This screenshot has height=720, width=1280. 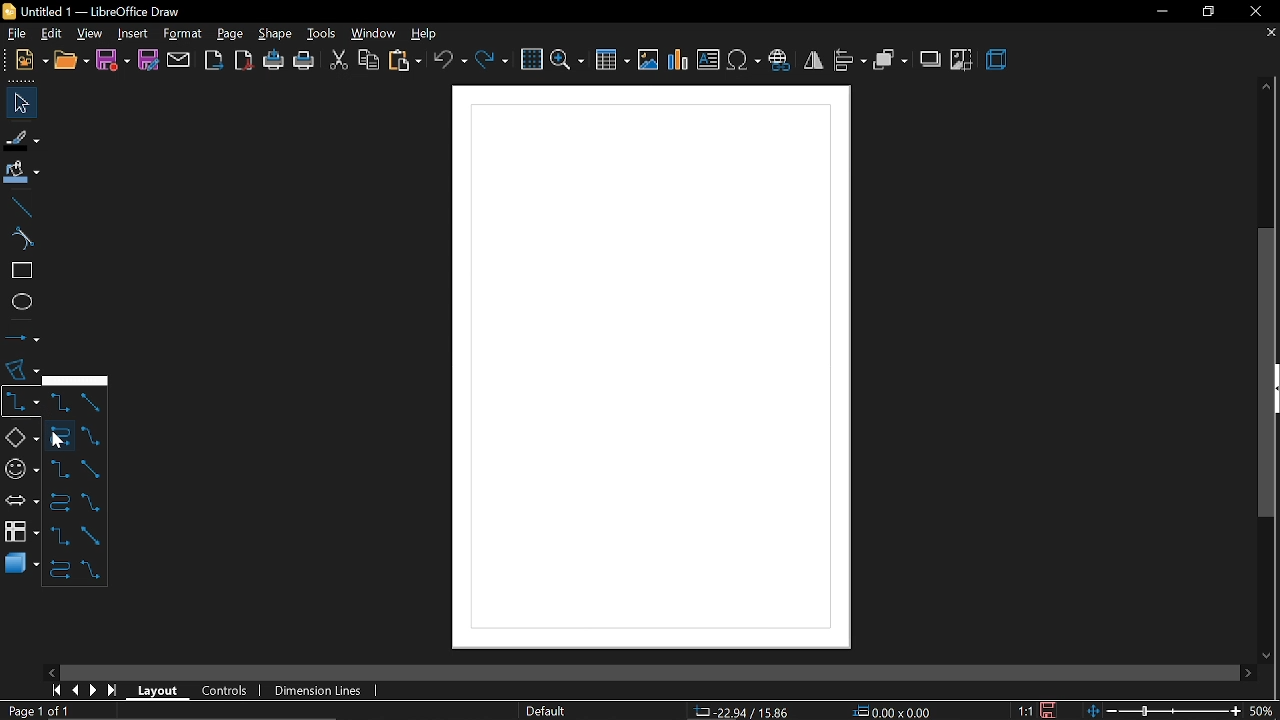 What do you see at coordinates (274, 62) in the screenshot?
I see `print directly` at bounding box center [274, 62].